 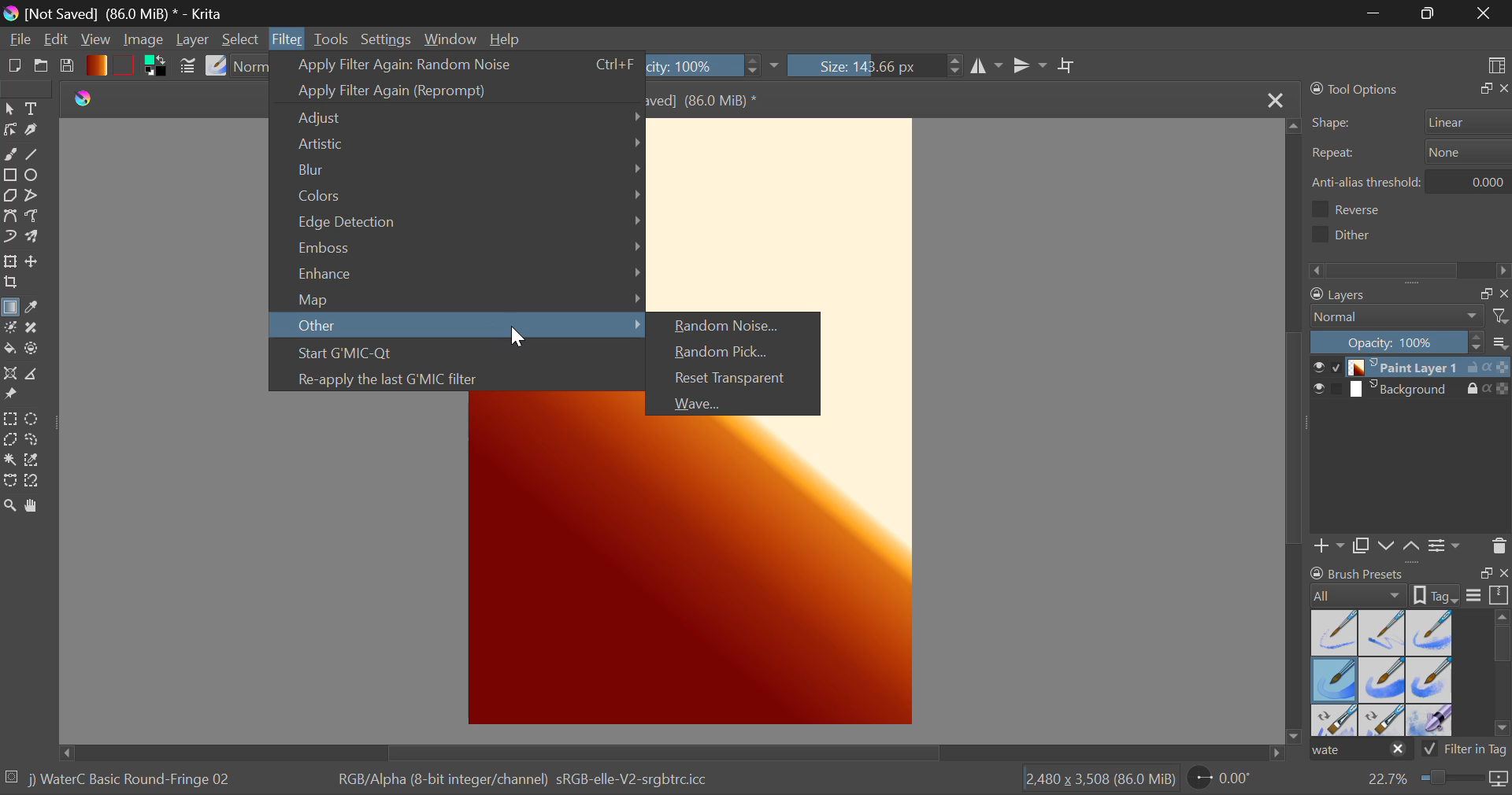 What do you see at coordinates (1499, 545) in the screenshot?
I see `trash` at bounding box center [1499, 545].